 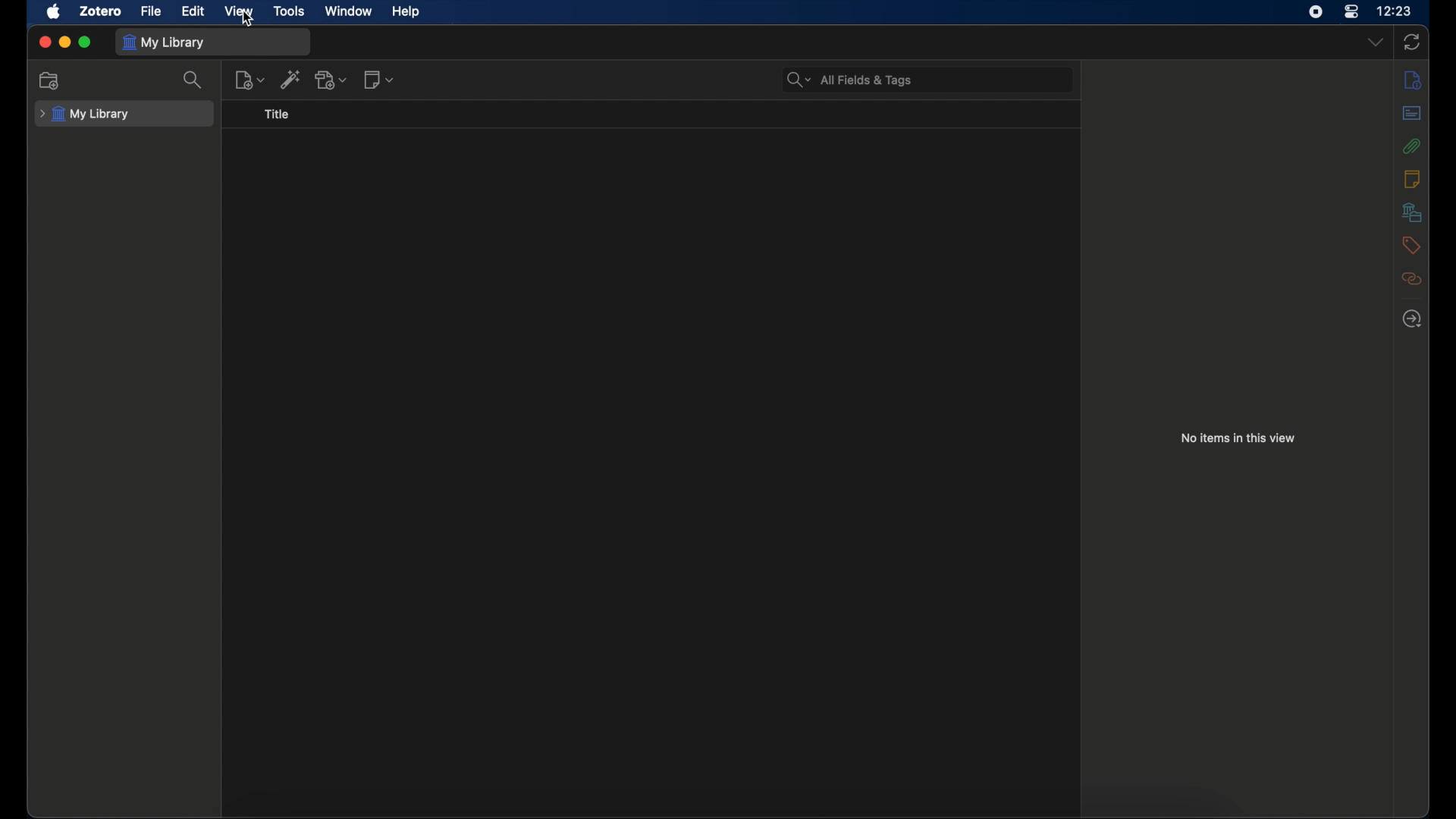 What do you see at coordinates (406, 11) in the screenshot?
I see `help` at bounding box center [406, 11].